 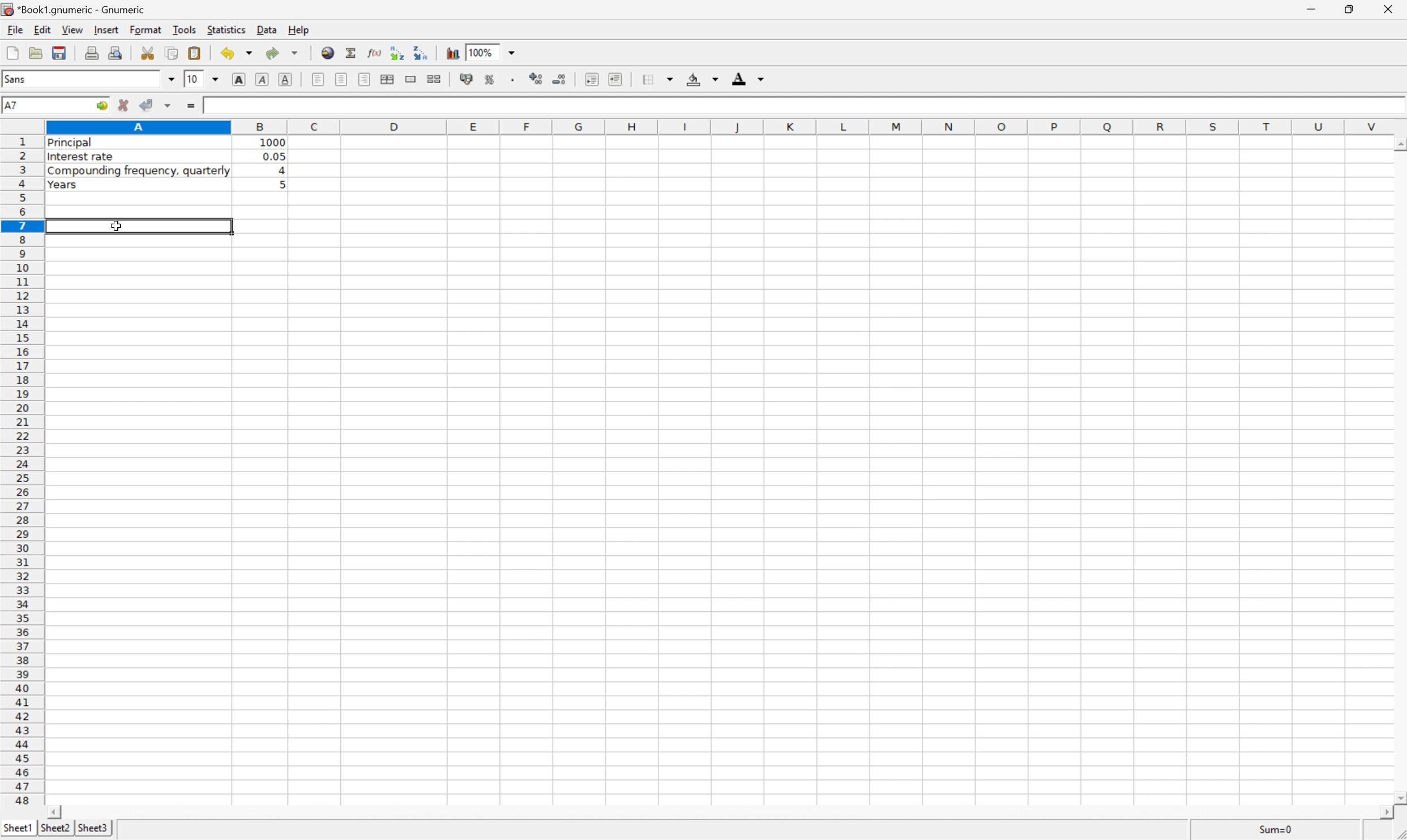 I want to click on scroll right, so click(x=1384, y=816).